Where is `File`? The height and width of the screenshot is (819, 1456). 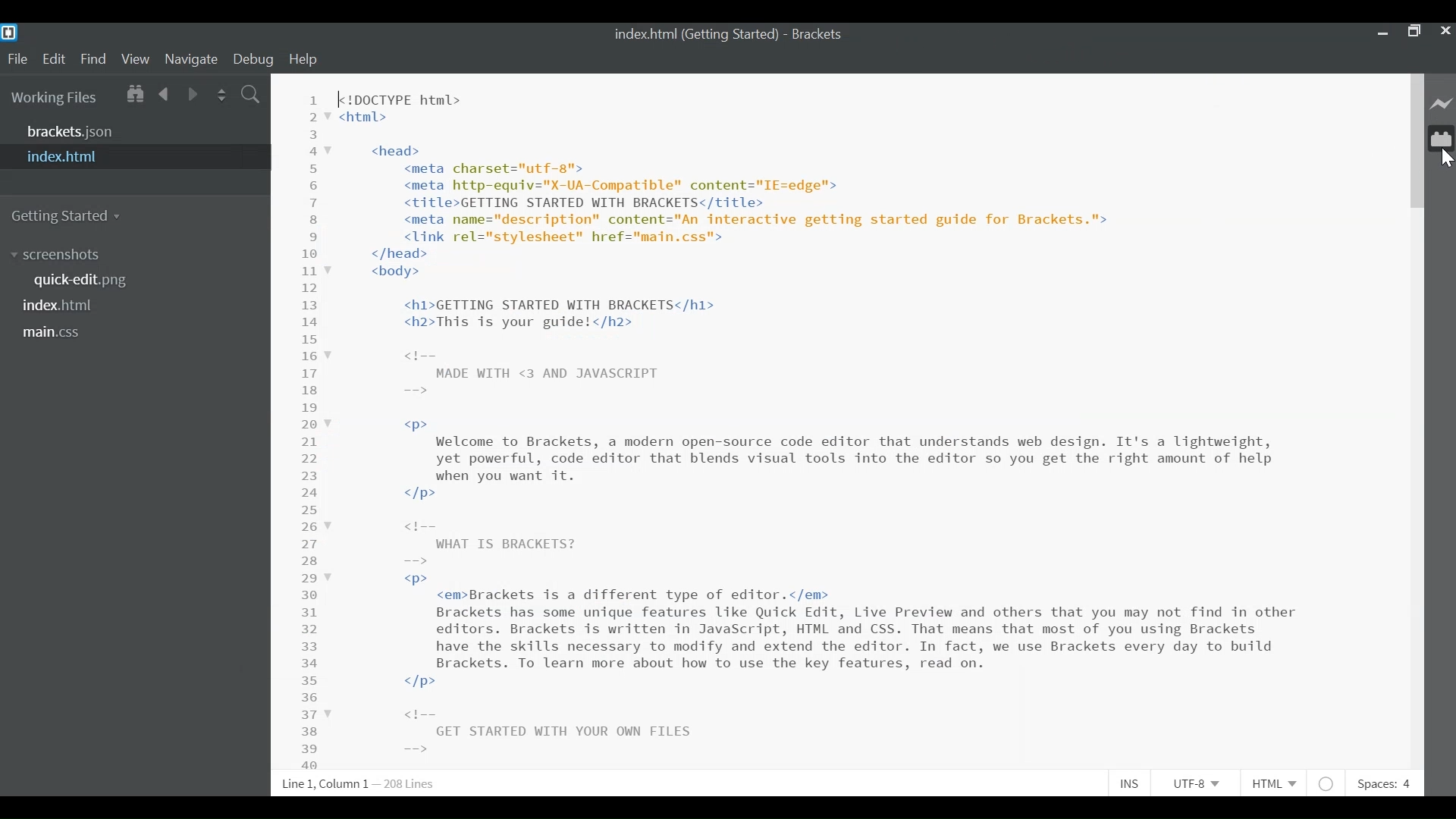 File is located at coordinates (17, 59).